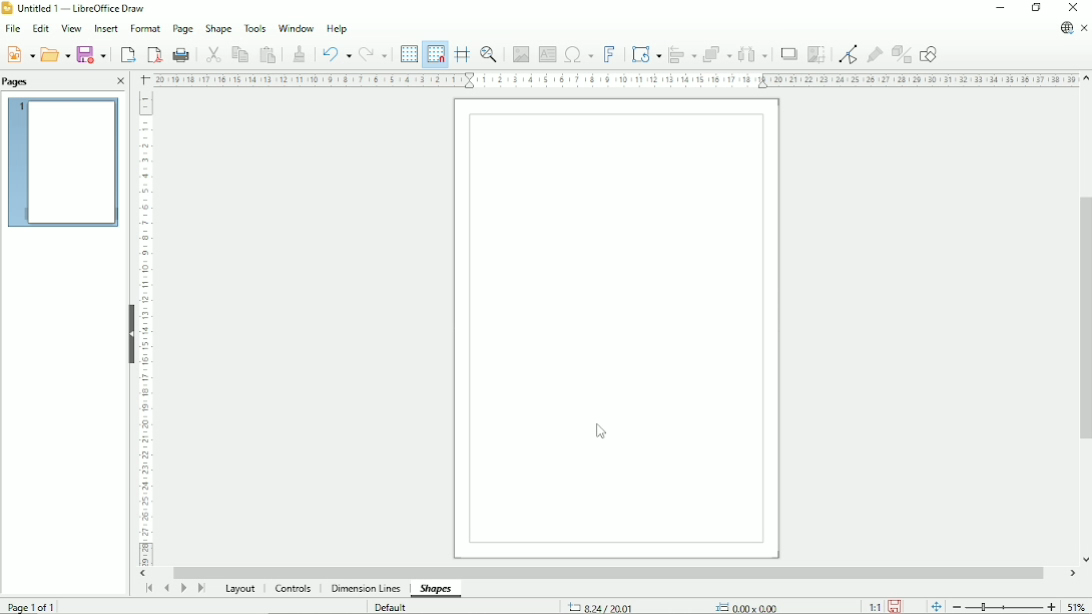 This screenshot has width=1092, height=614. What do you see at coordinates (1072, 573) in the screenshot?
I see `Horizontal scroll button` at bounding box center [1072, 573].